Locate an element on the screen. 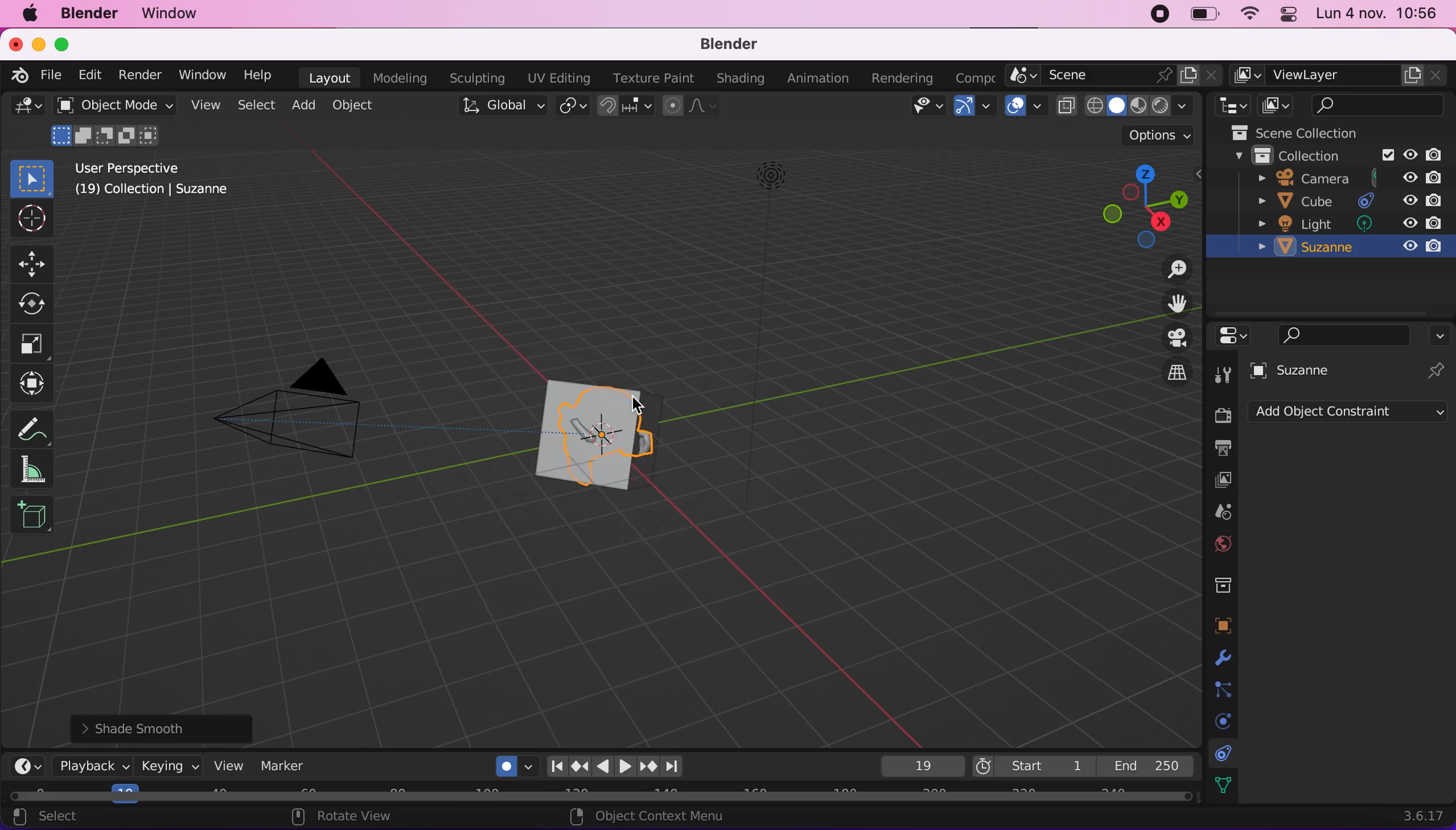  world is located at coordinates (1223, 543).